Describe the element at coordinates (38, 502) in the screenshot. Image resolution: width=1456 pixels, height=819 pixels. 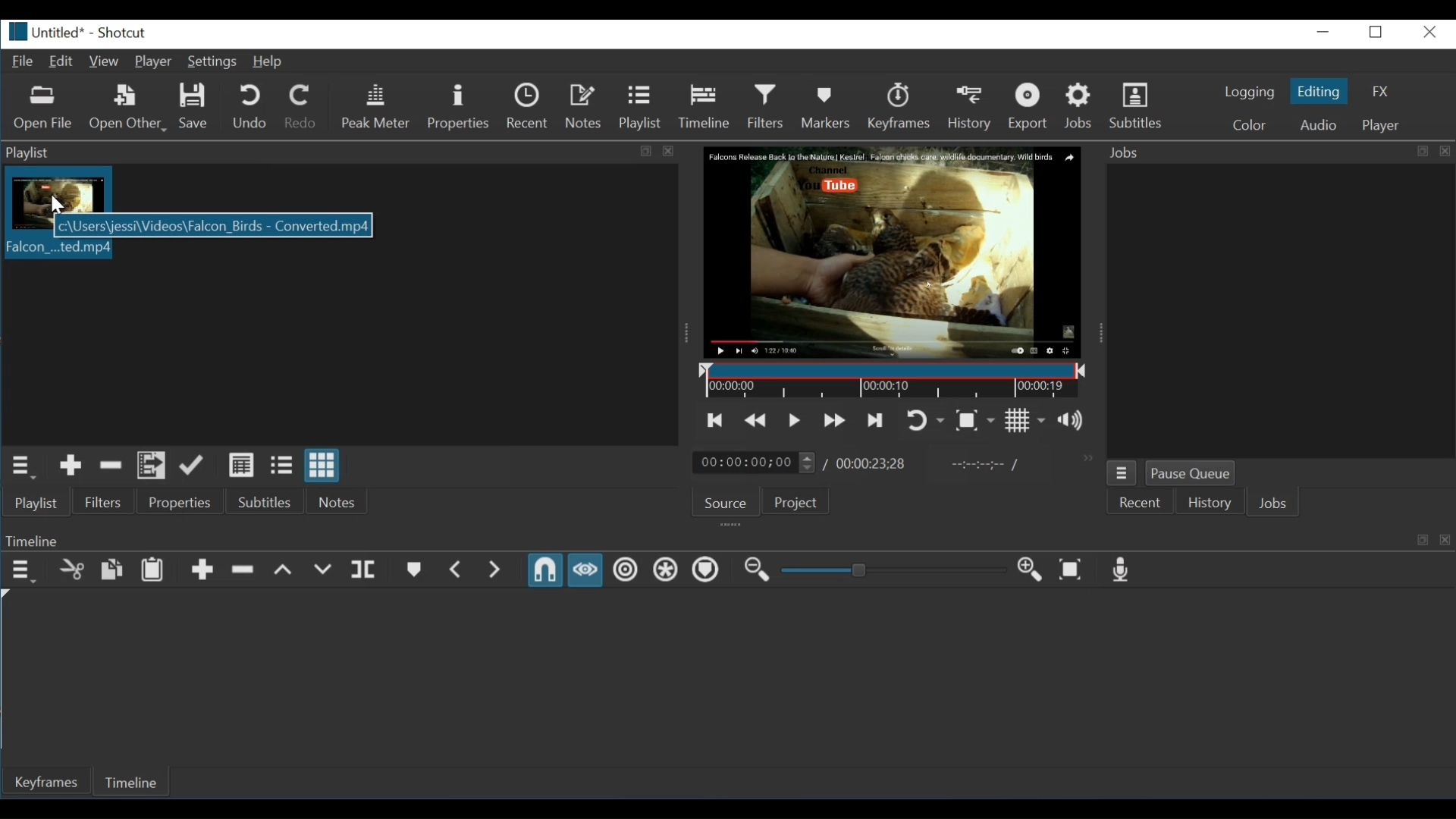
I see `Playlist` at that location.